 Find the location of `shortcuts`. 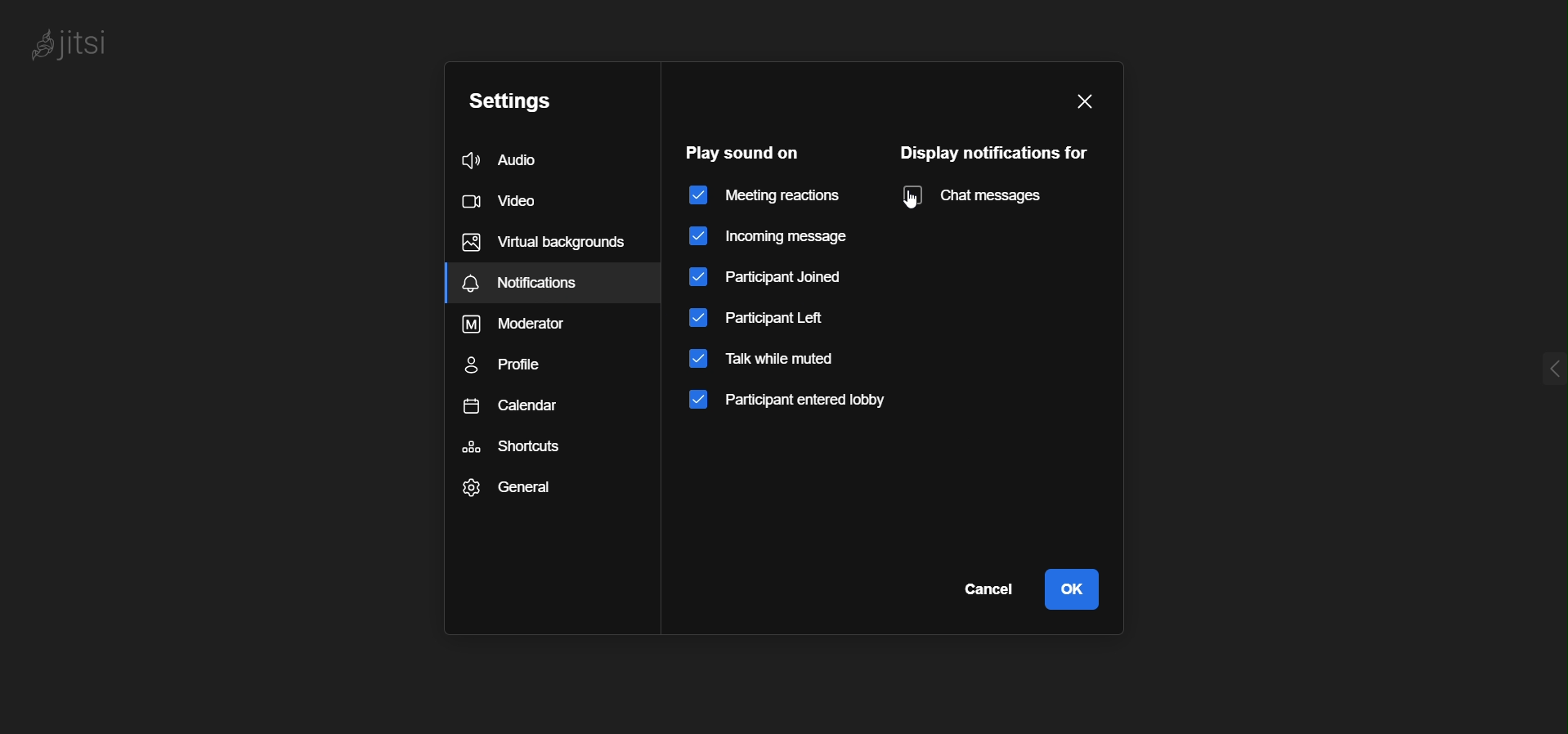

shortcuts is located at coordinates (514, 448).